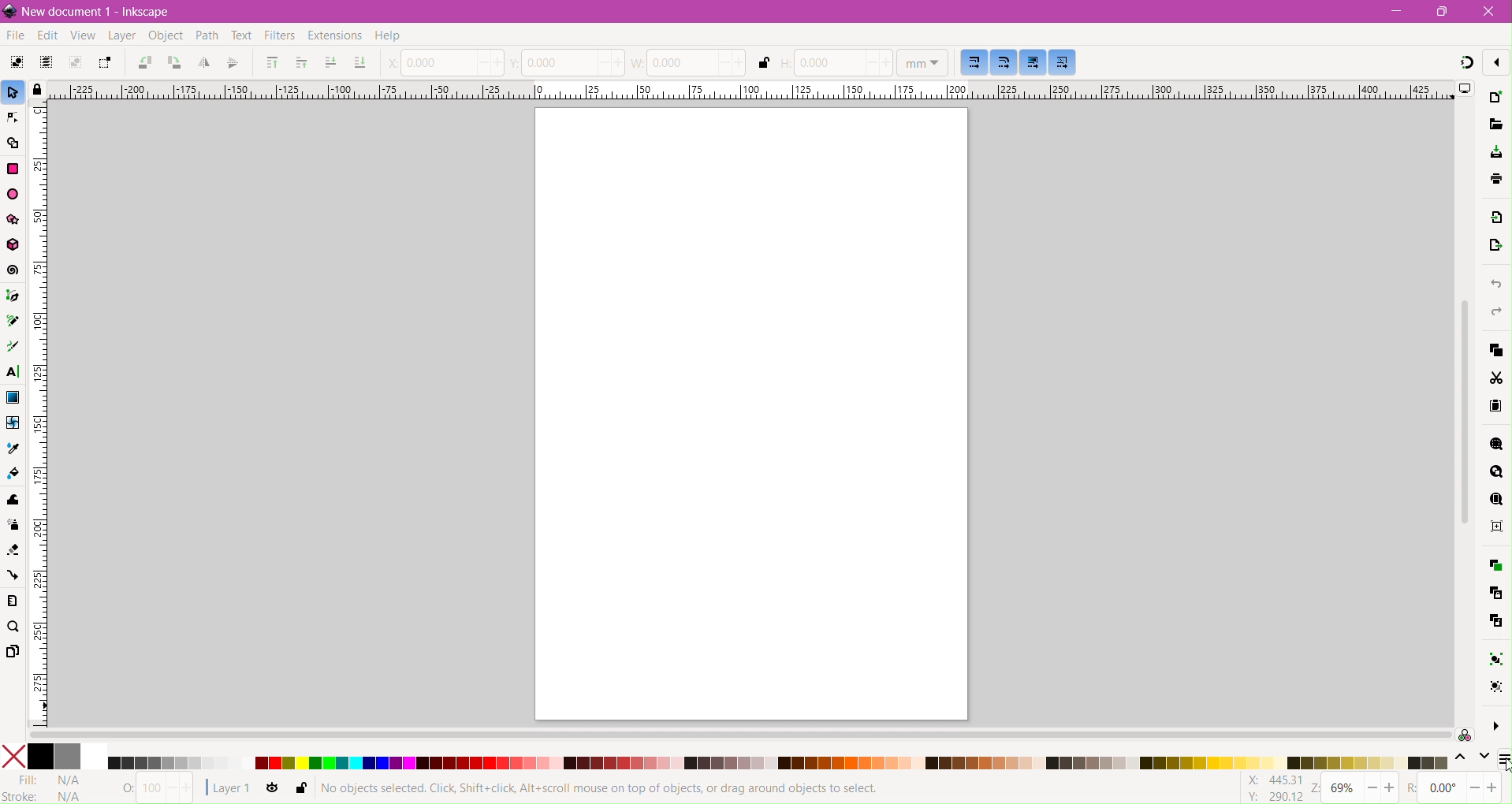 The image size is (1512, 804). What do you see at coordinates (1397, 11) in the screenshot?
I see `Minimize` at bounding box center [1397, 11].